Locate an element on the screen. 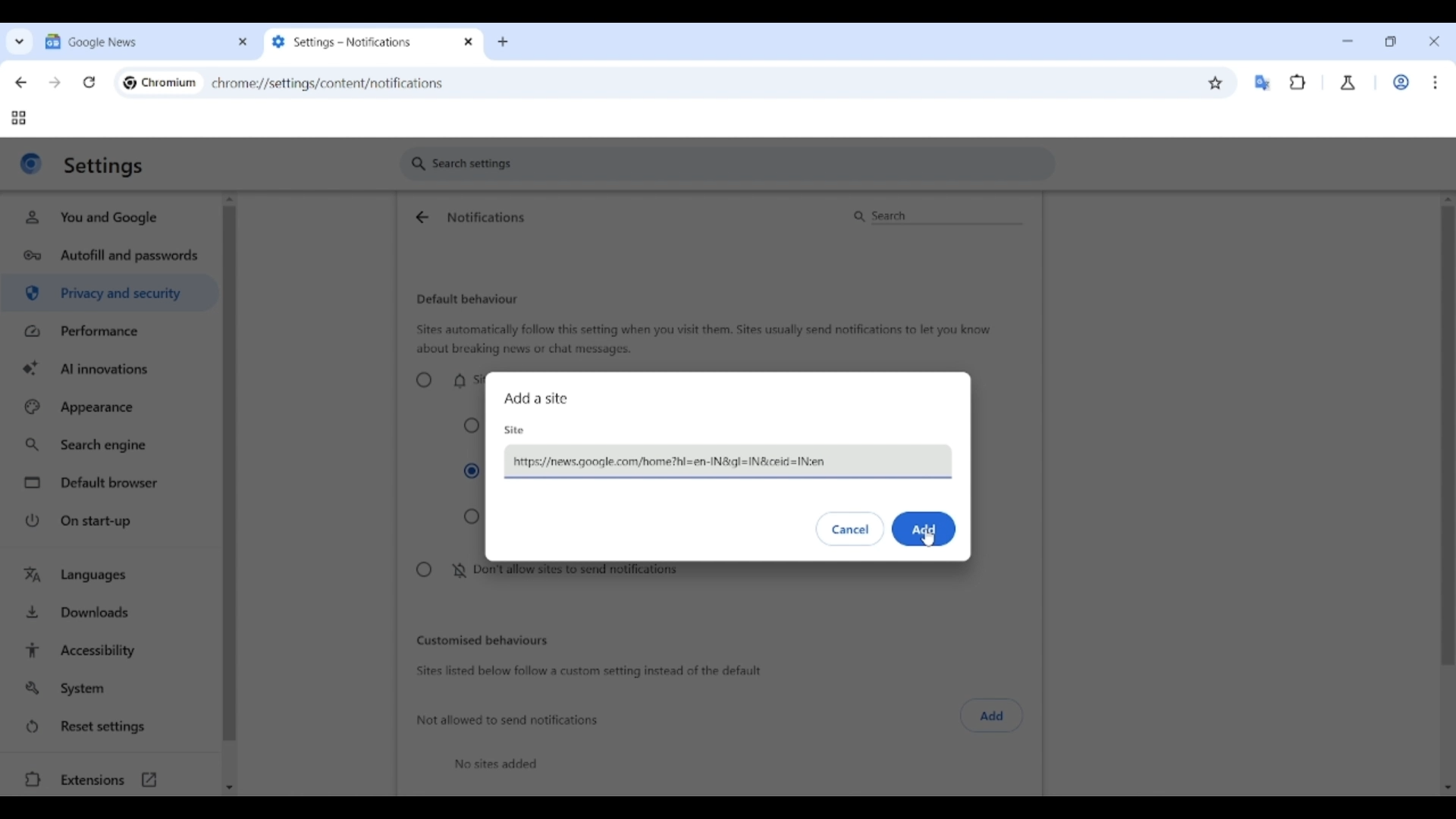 This screenshot has width=1456, height=819. Autofill and passwords is located at coordinates (112, 256).